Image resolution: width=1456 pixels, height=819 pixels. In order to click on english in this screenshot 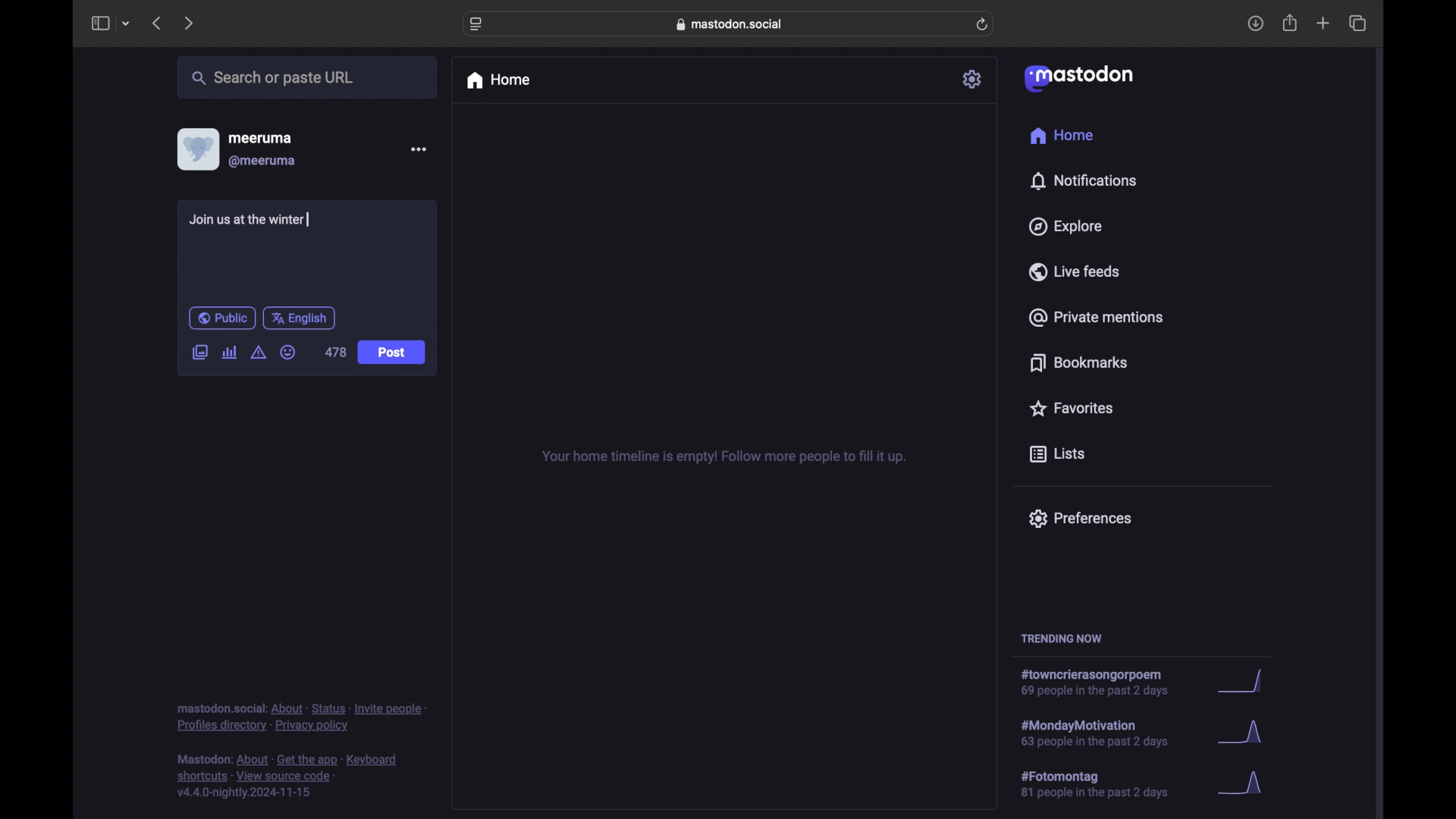, I will do `click(300, 318)`.